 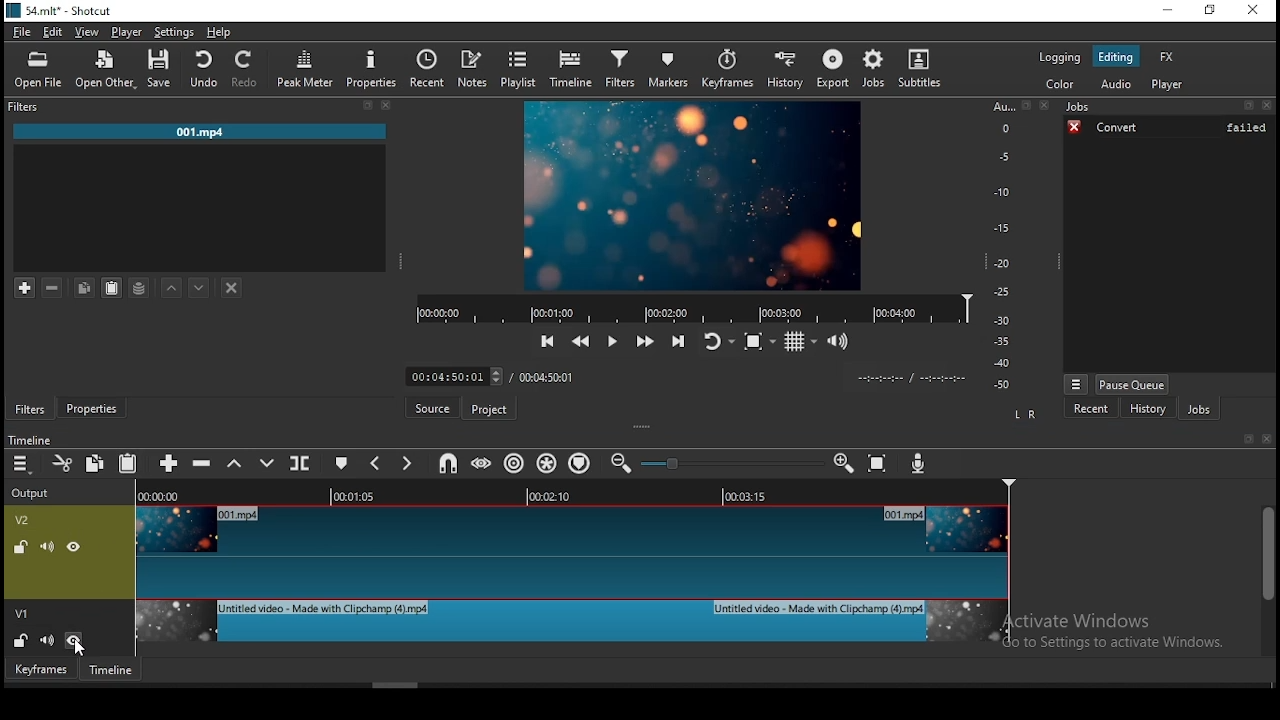 What do you see at coordinates (725, 69) in the screenshot?
I see `keyframes` at bounding box center [725, 69].